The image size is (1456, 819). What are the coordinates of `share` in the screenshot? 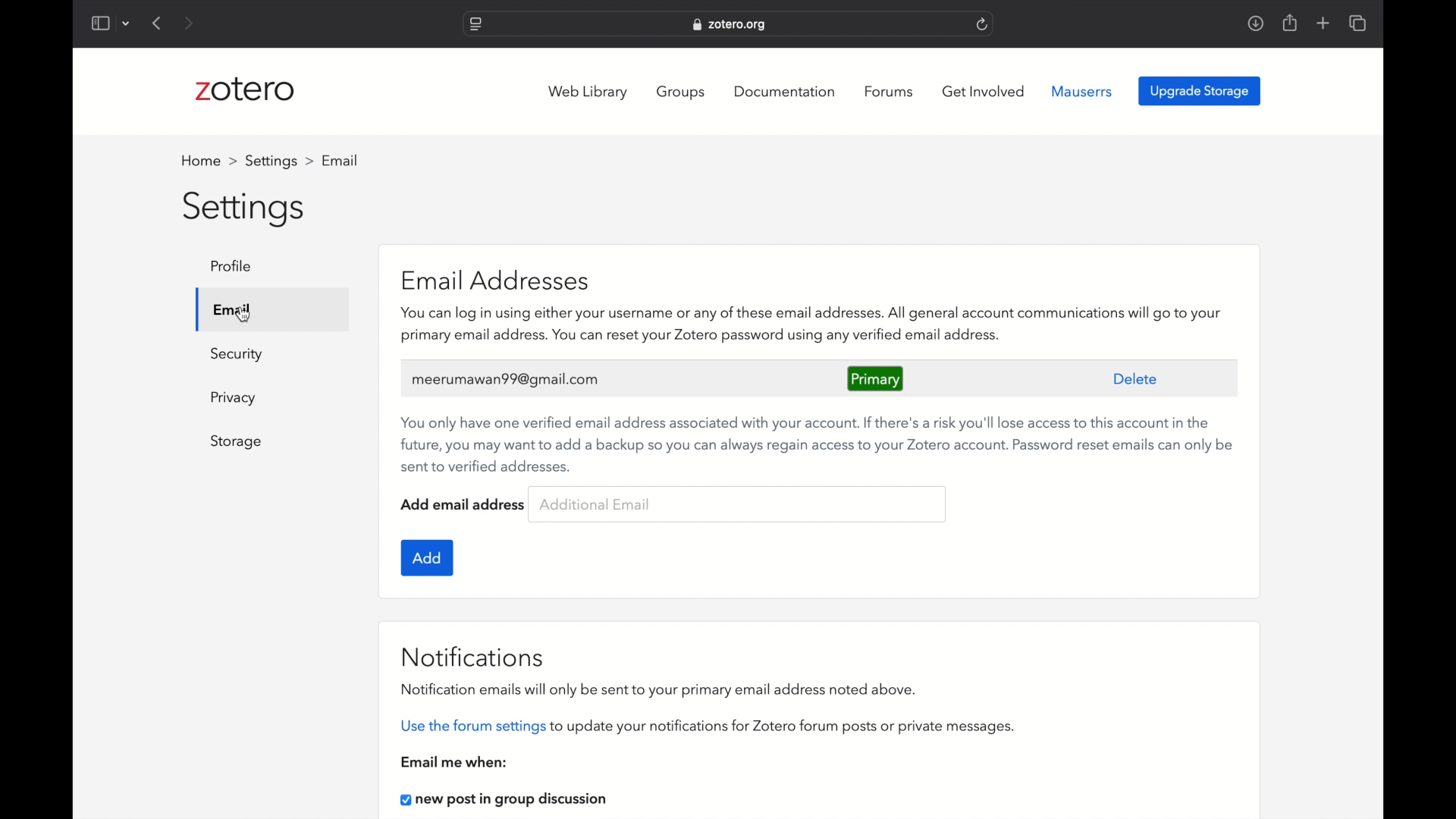 It's located at (1288, 22).